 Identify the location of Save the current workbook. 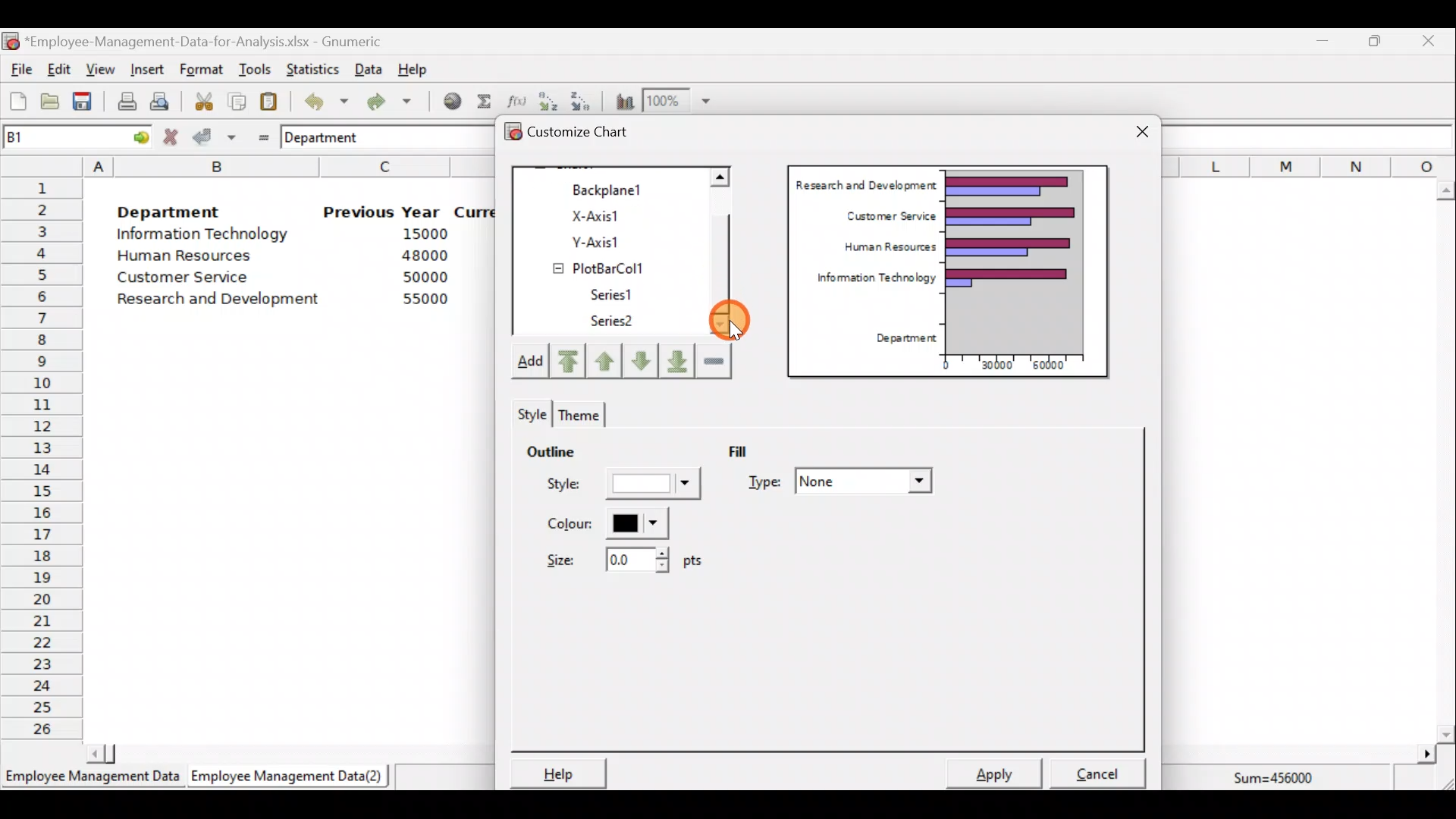
(87, 104).